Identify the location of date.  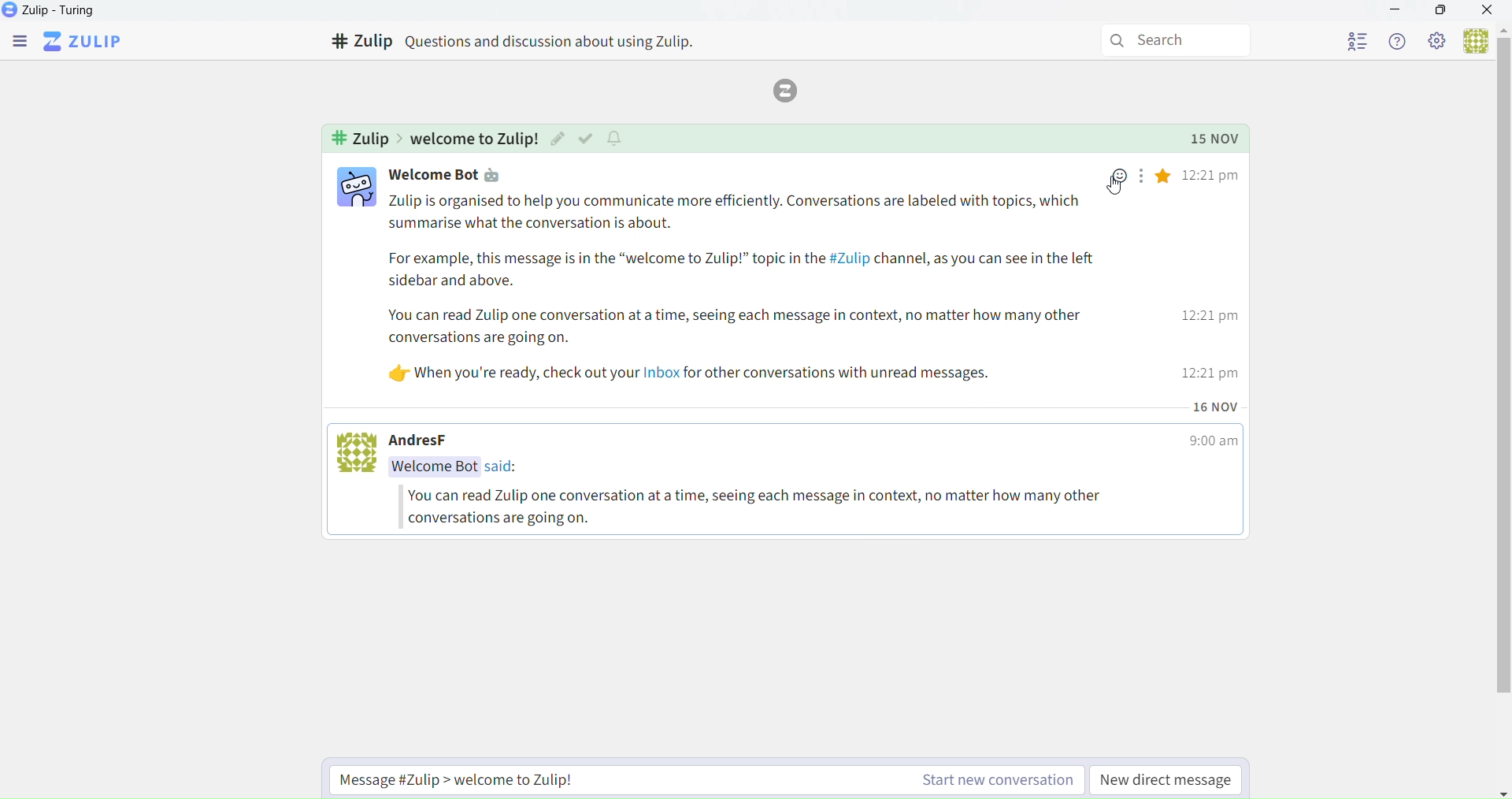
(1215, 406).